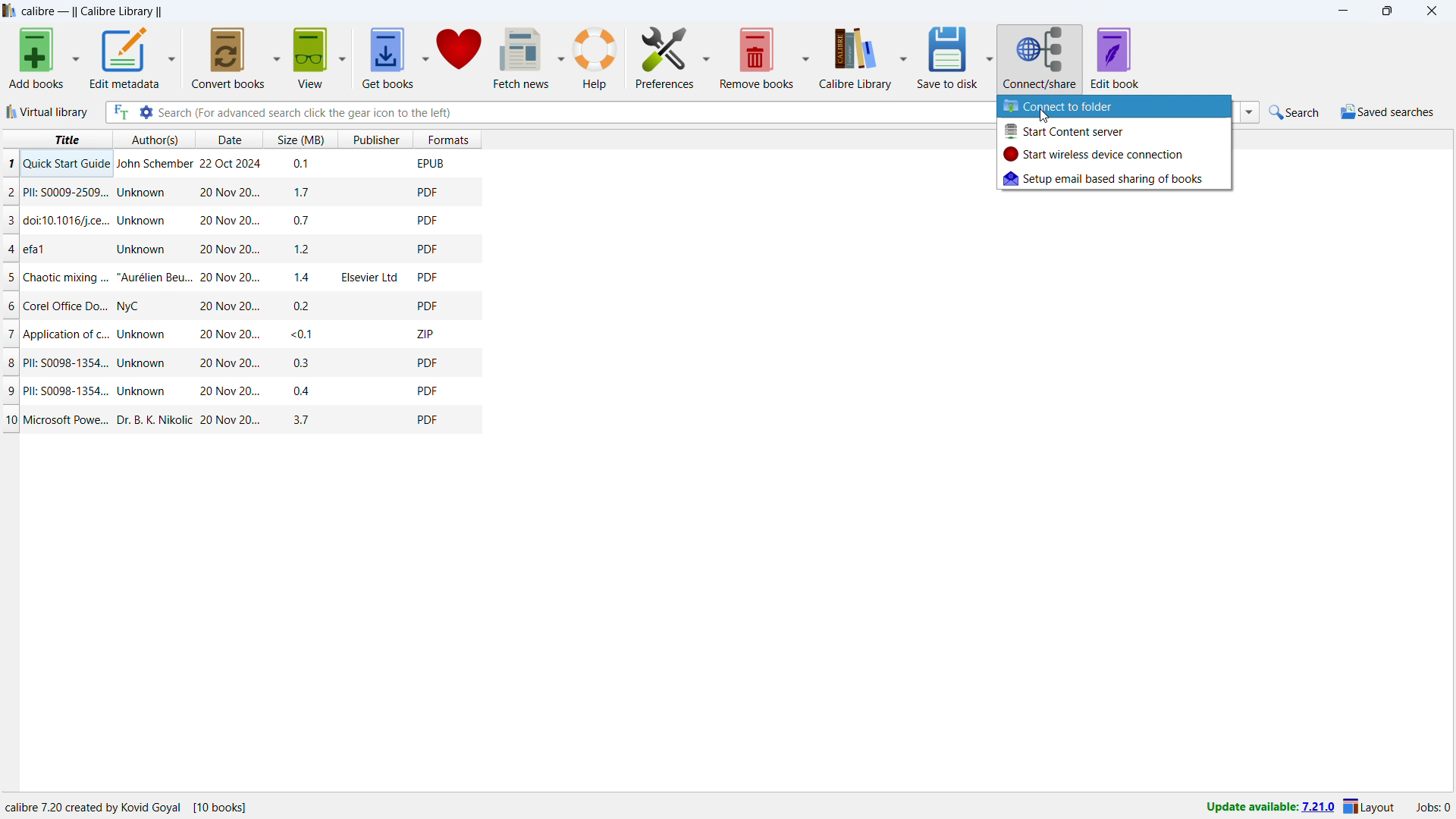 The height and width of the screenshot is (819, 1456). I want to click on update, so click(1268, 809).